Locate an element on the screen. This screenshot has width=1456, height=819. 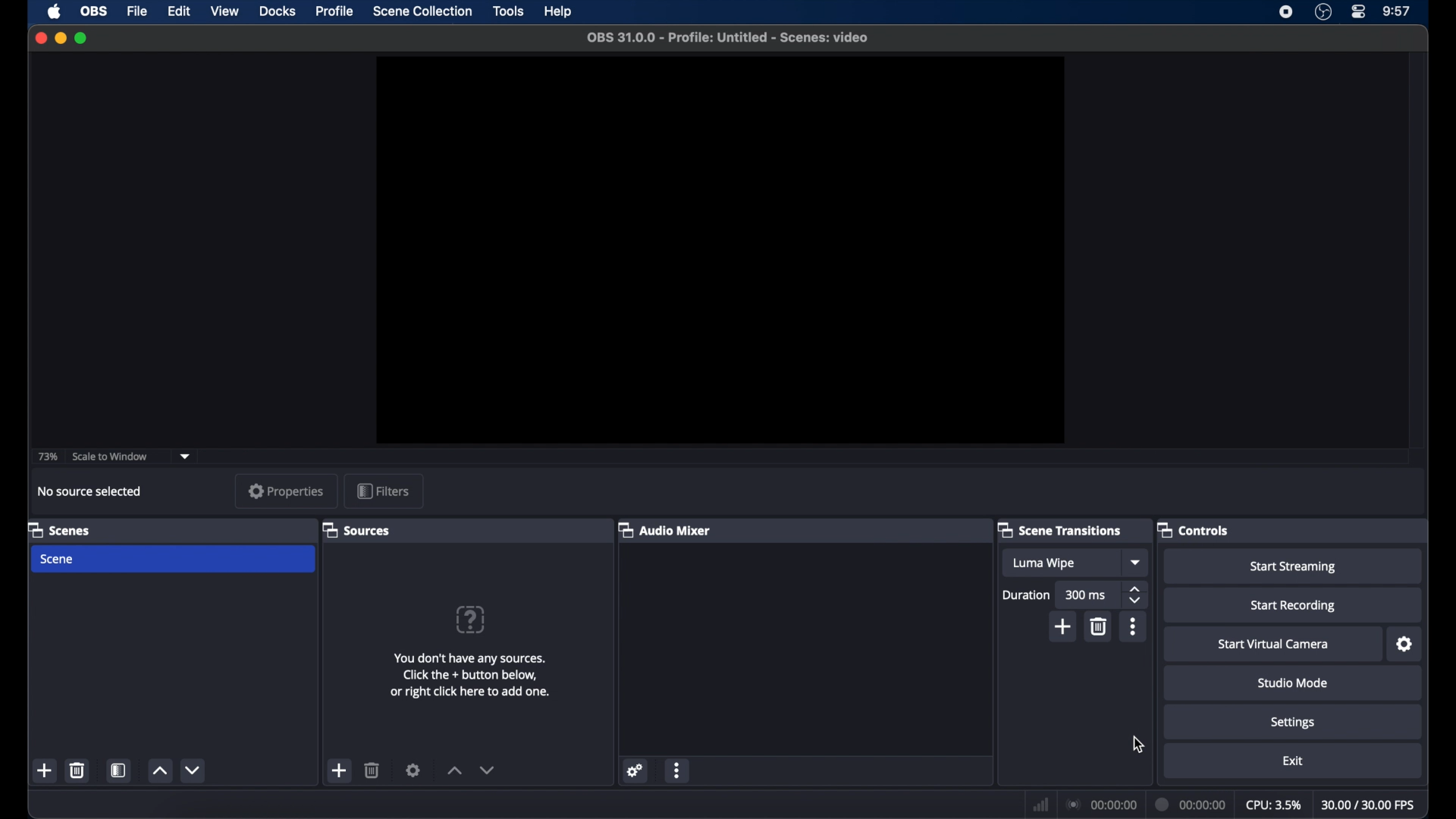
question mark icon is located at coordinates (469, 618).